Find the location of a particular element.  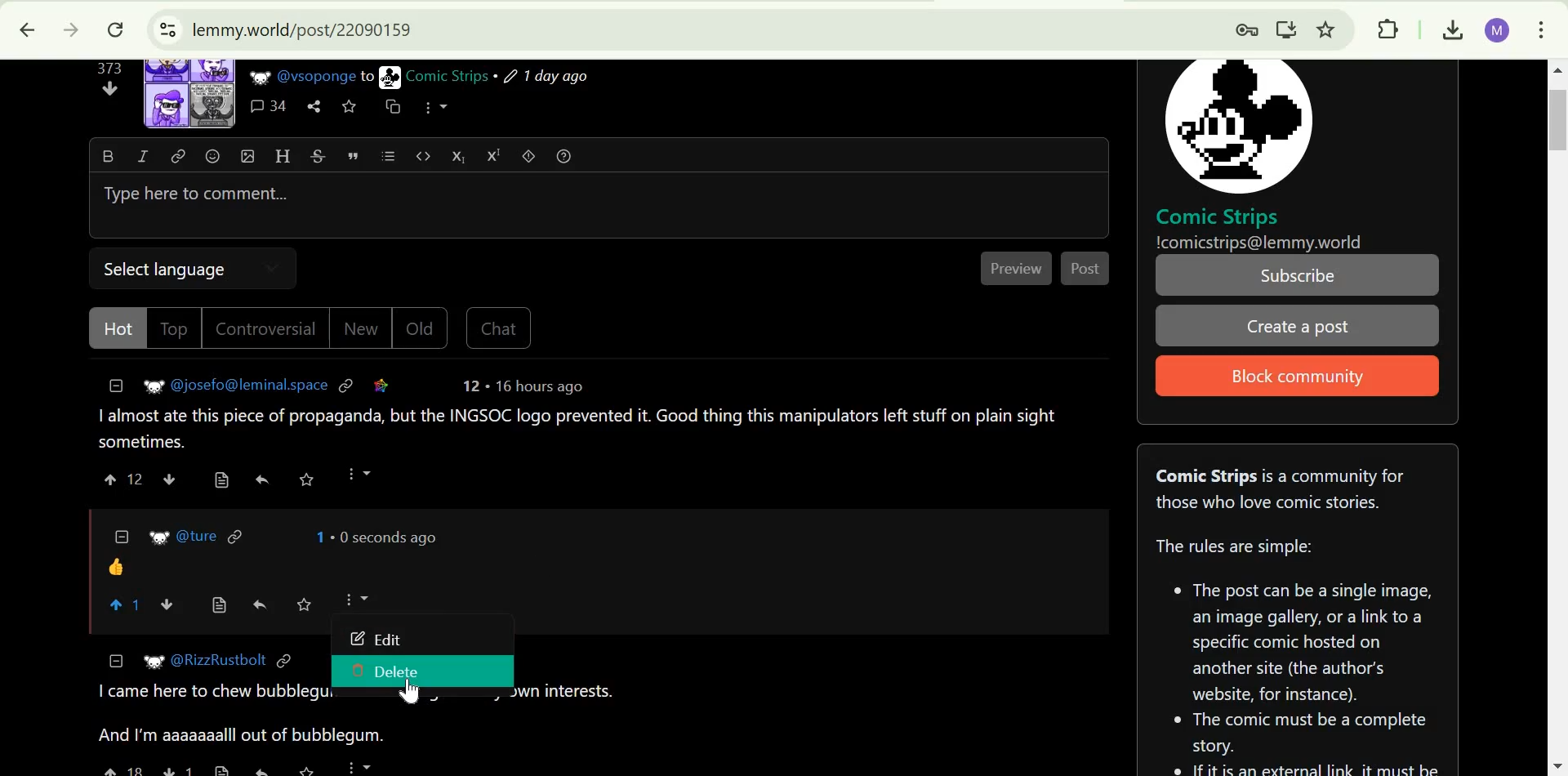

@RizzRustbolt is located at coordinates (220, 661).